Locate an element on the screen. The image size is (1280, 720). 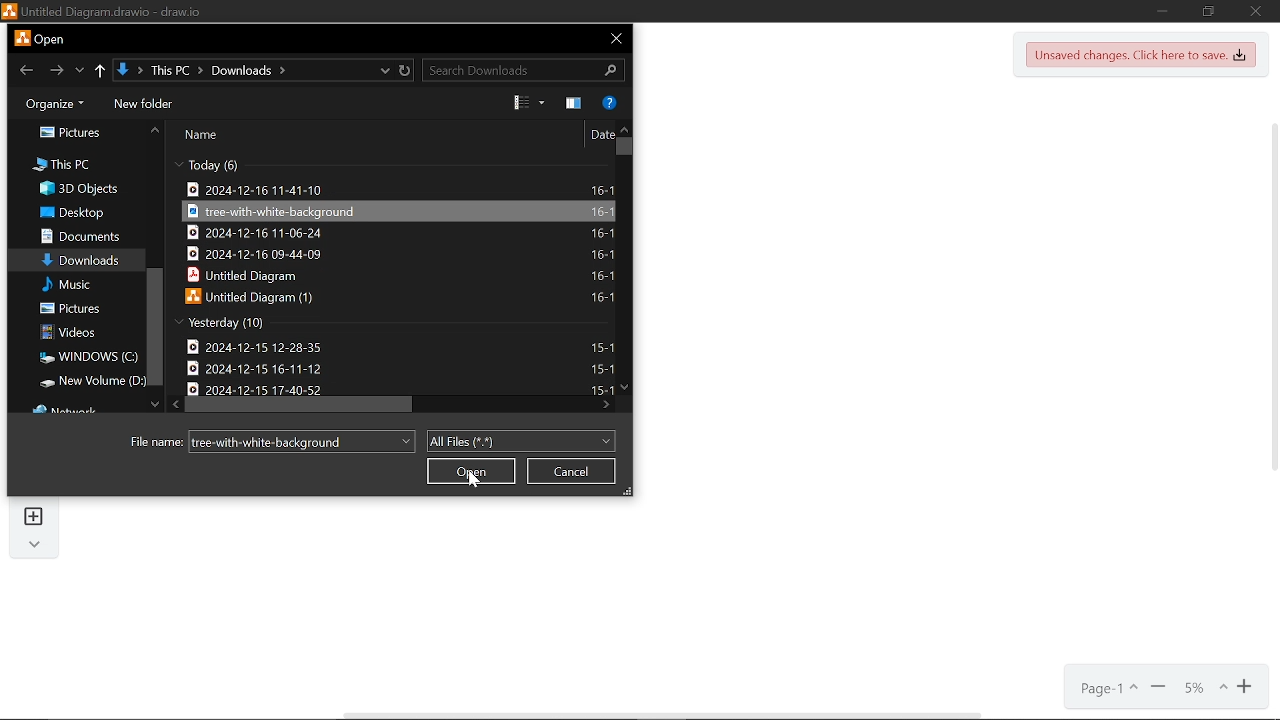
move right is located at coordinates (603, 406).